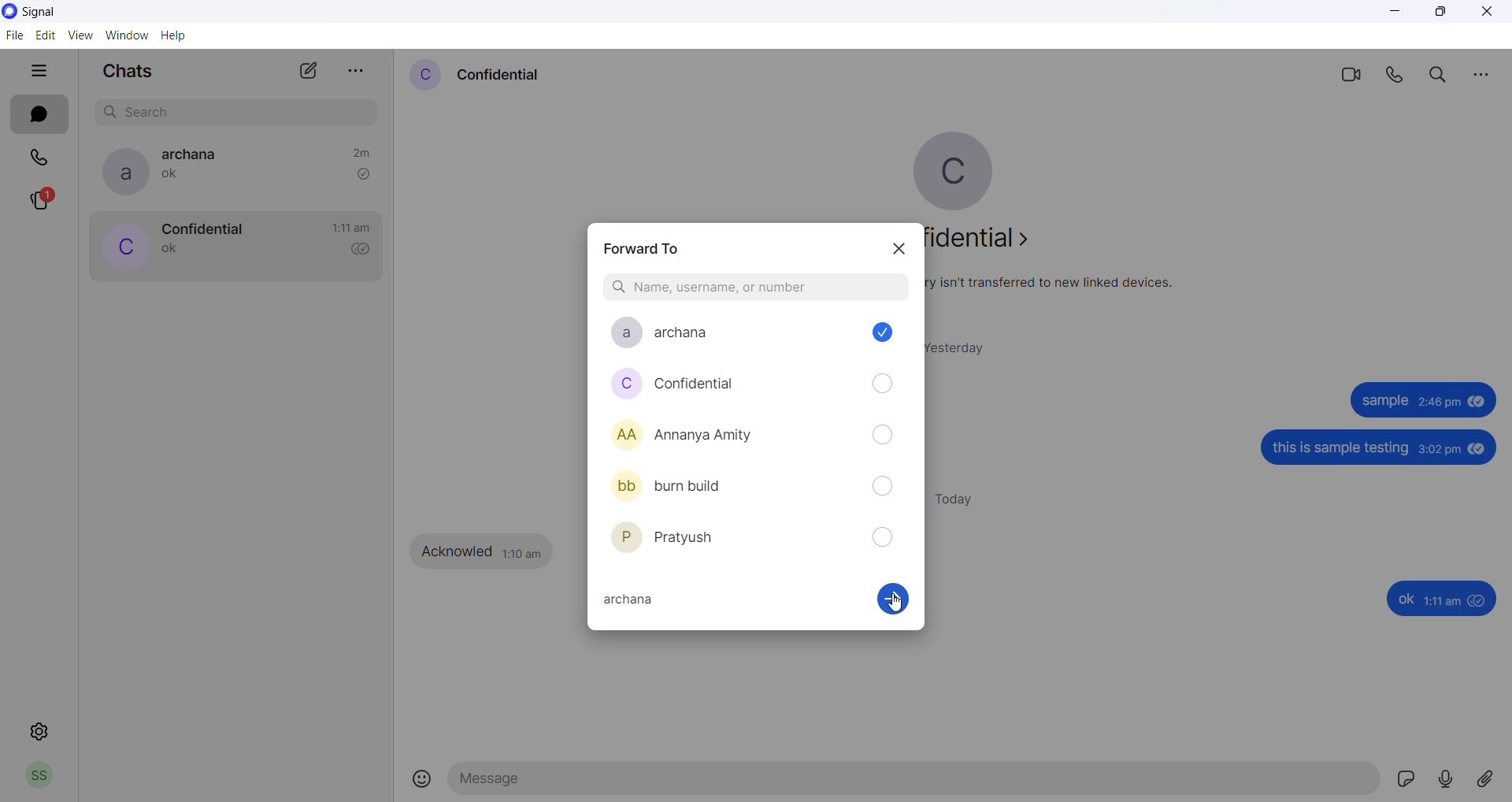 The width and height of the screenshot is (1512, 802). What do you see at coordinates (39, 72) in the screenshot?
I see `hide` at bounding box center [39, 72].